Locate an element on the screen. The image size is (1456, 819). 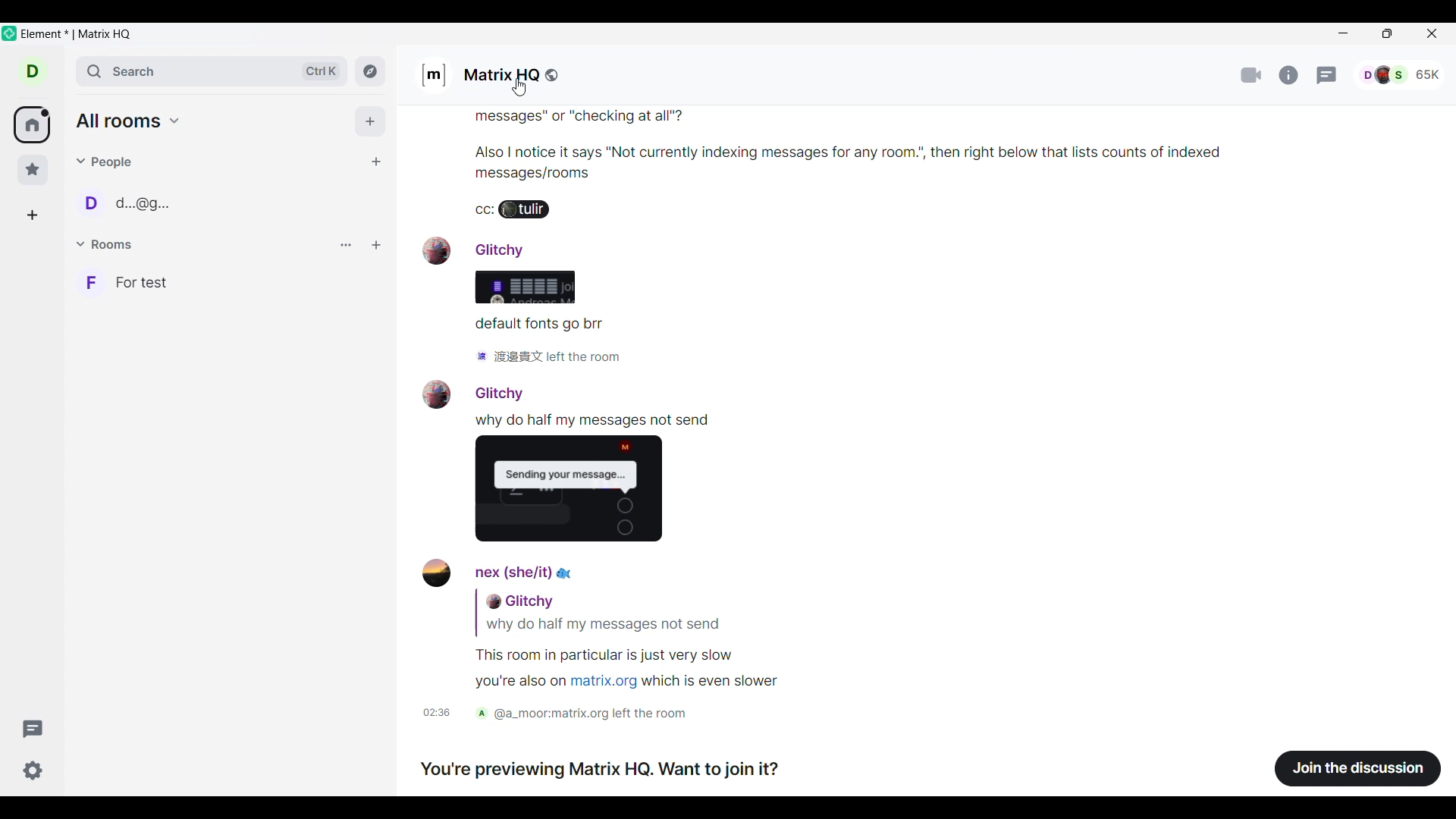
For test is located at coordinates (228, 282).